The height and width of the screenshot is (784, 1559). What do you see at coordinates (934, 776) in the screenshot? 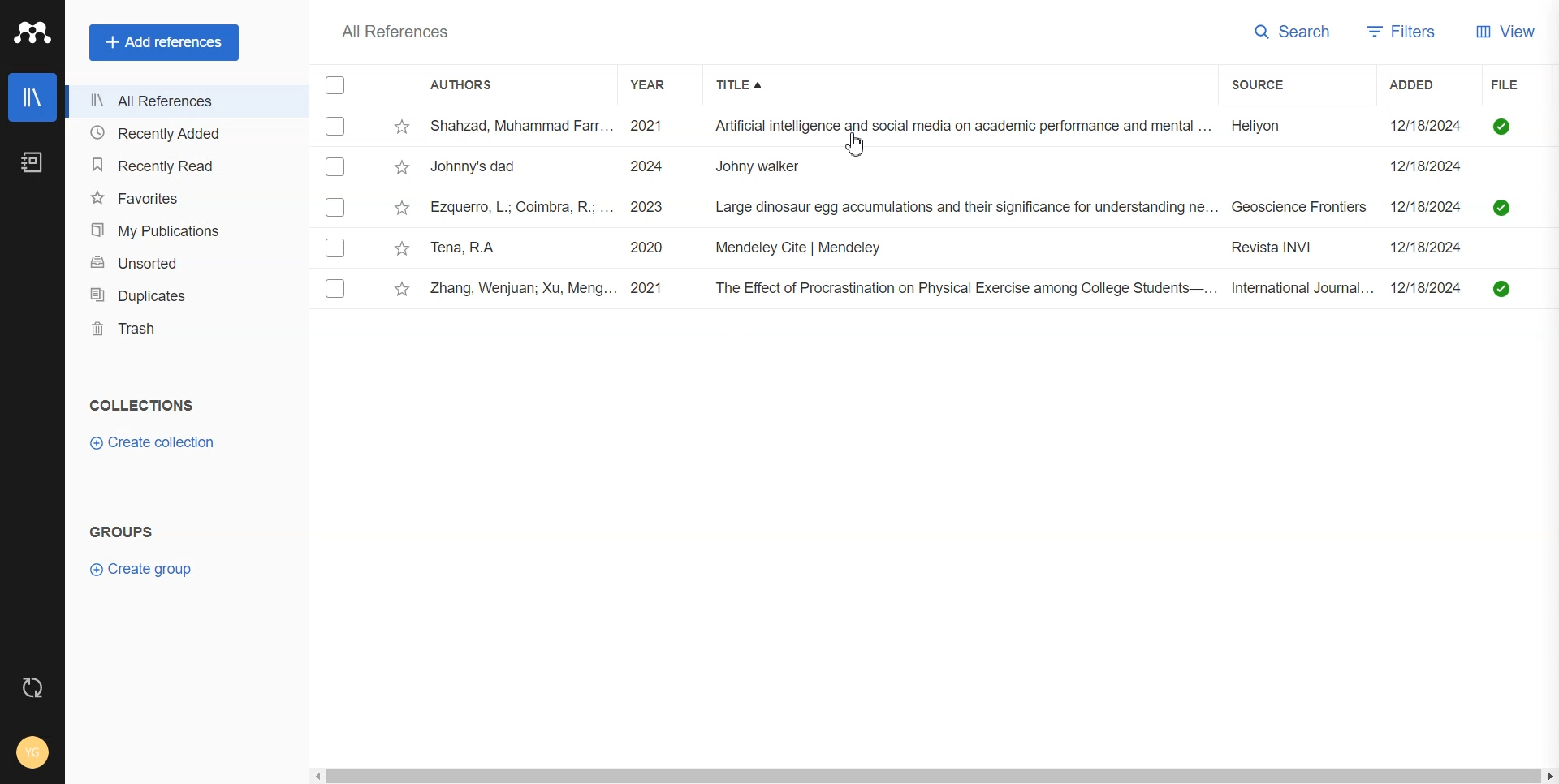
I see `Horizontal Scroll bar` at bounding box center [934, 776].